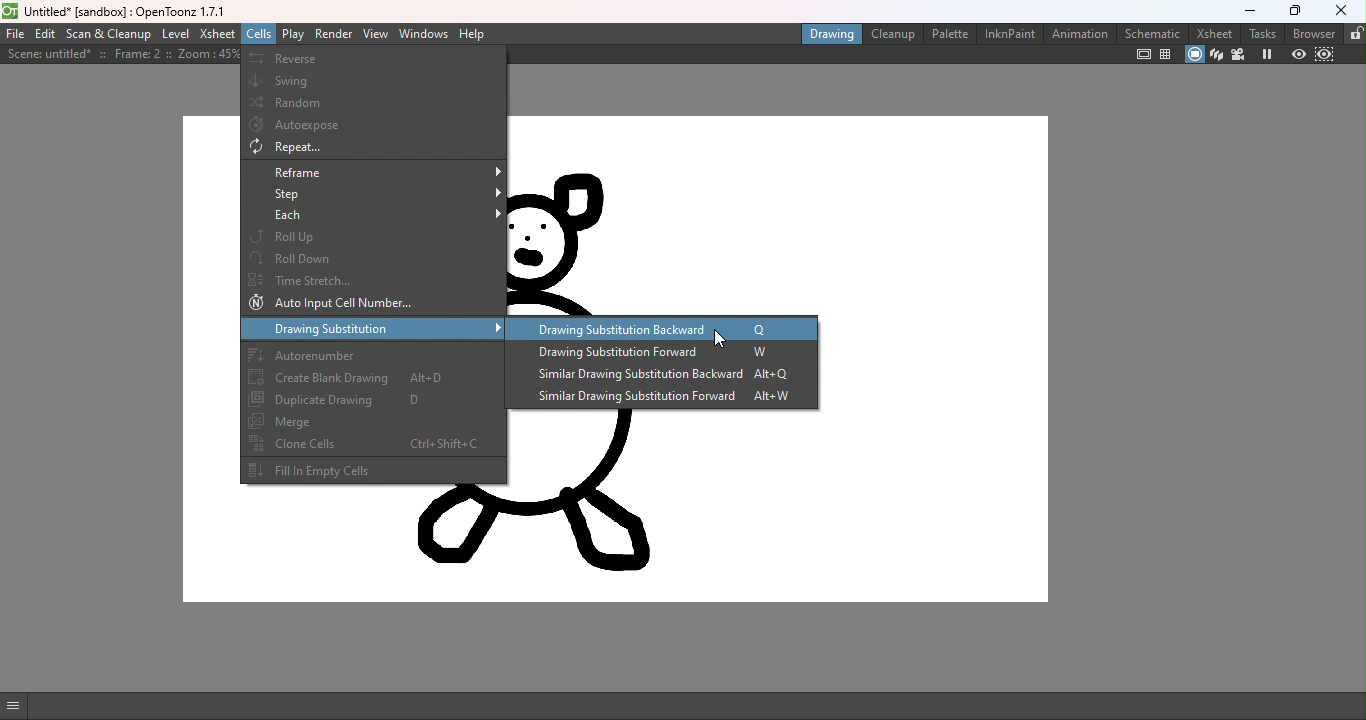  What do you see at coordinates (372, 379) in the screenshot?
I see `Create blank drawing` at bounding box center [372, 379].